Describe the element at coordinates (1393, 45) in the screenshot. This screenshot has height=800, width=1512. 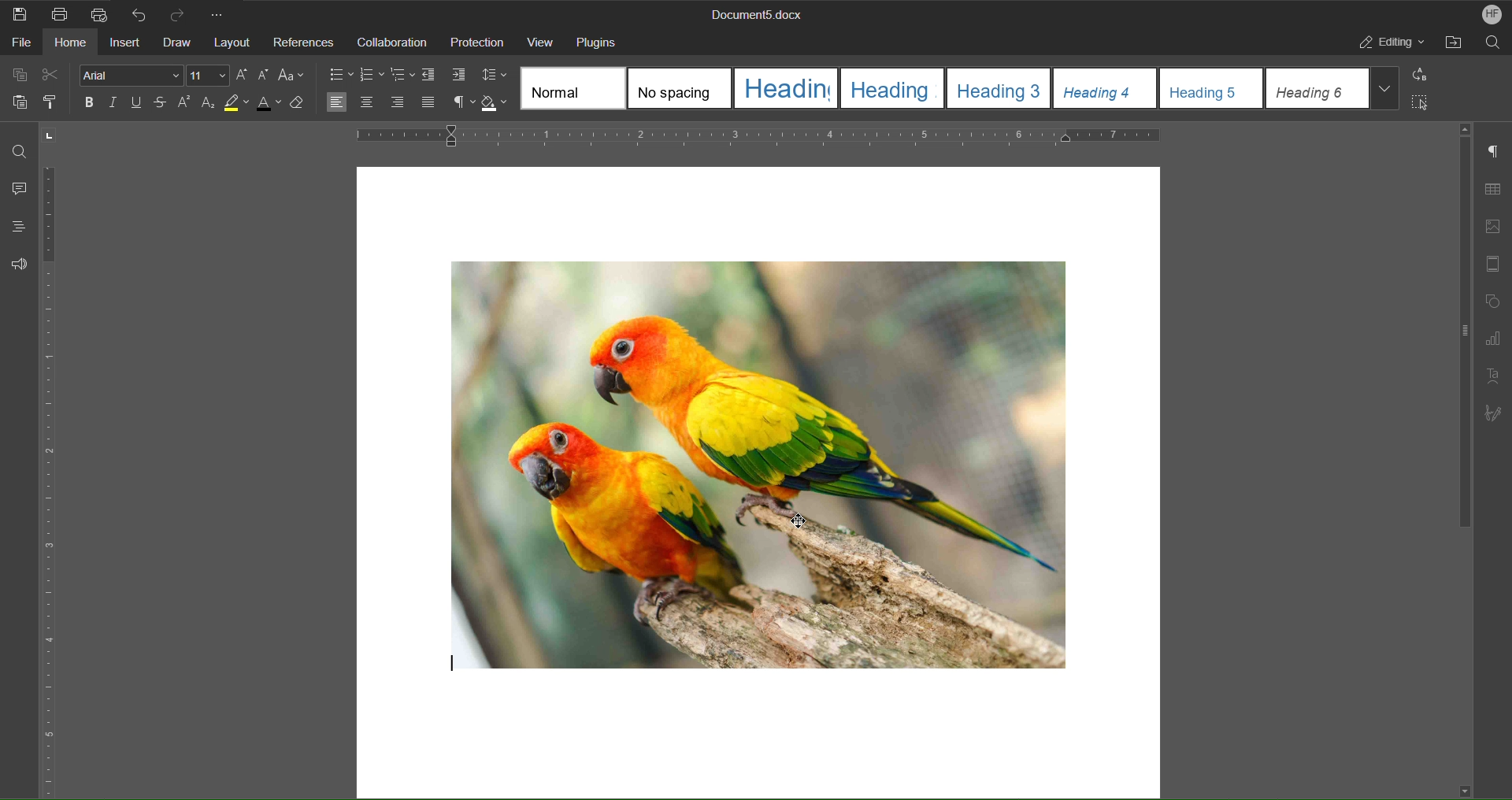
I see `Editing` at that location.